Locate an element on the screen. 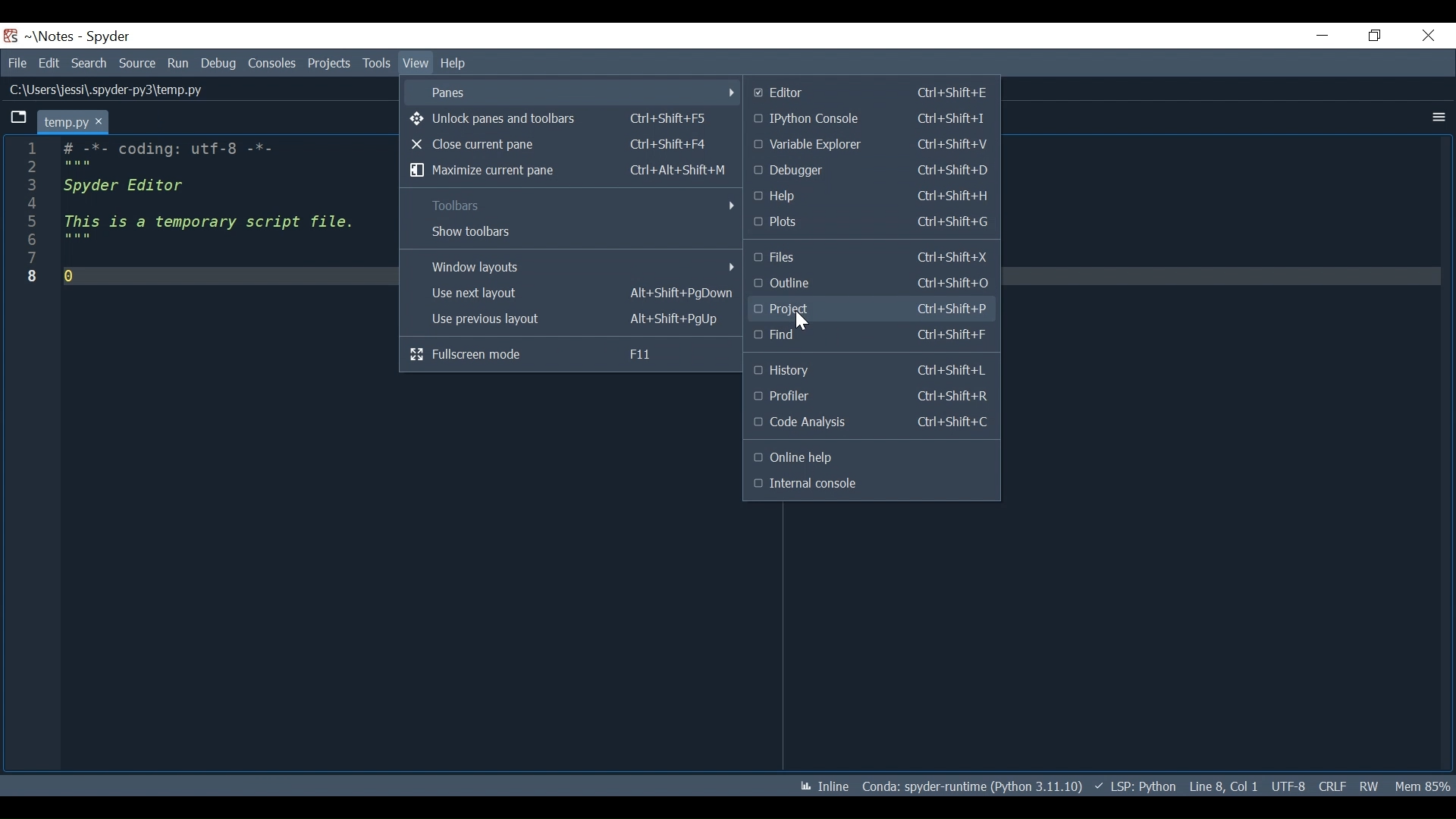 Image resolution: width=1456 pixels, height=819 pixels. Line 8, Col 1 is located at coordinates (1222, 787).